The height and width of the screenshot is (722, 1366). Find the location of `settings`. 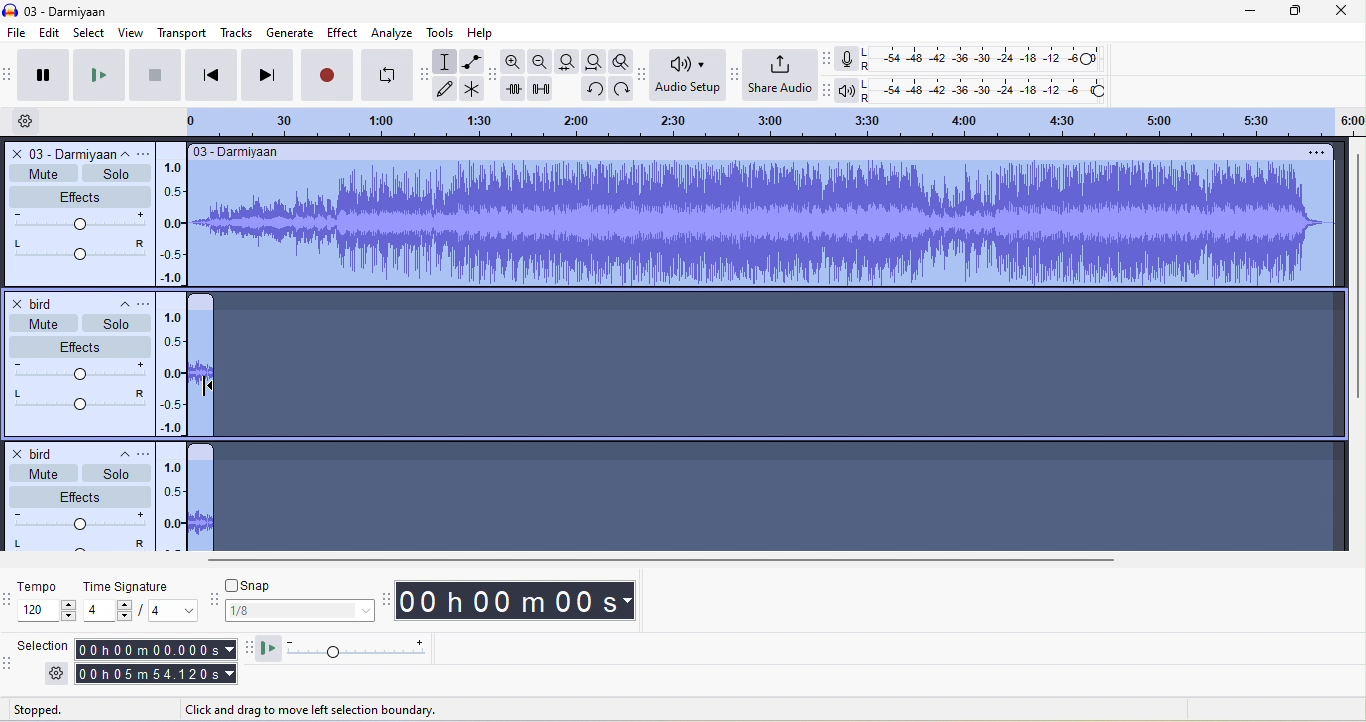

settings is located at coordinates (52, 676).